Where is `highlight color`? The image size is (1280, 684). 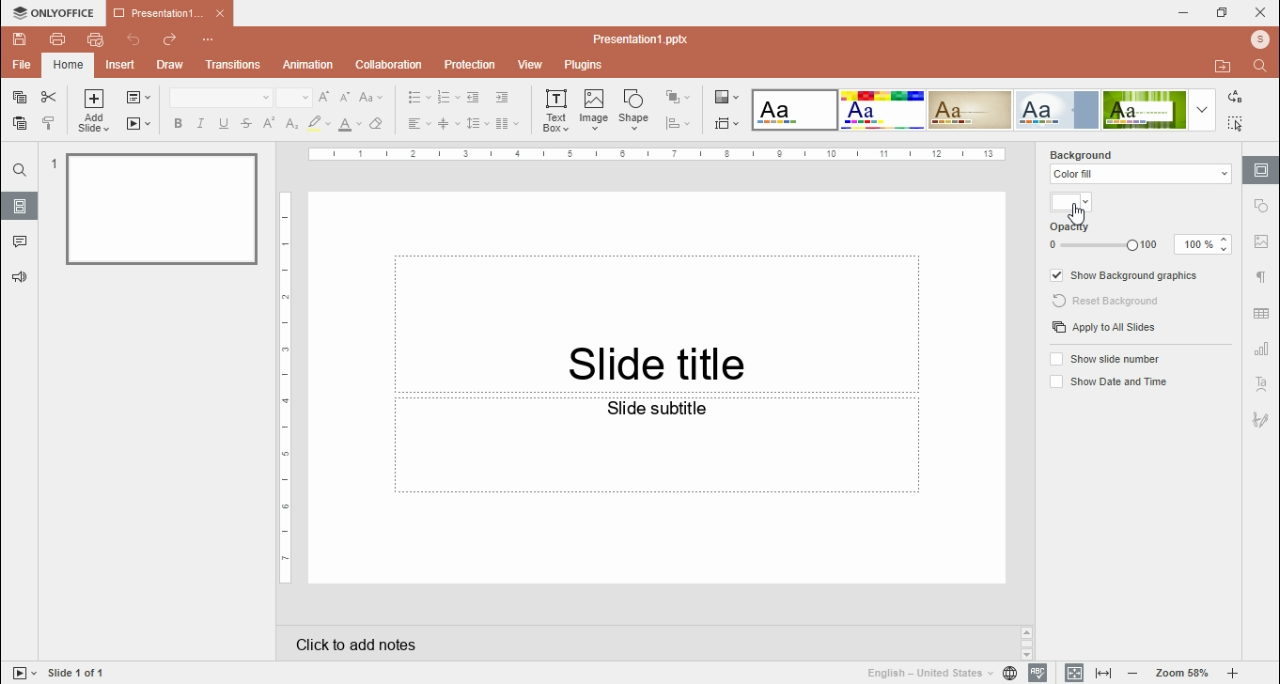
highlight color is located at coordinates (317, 124).